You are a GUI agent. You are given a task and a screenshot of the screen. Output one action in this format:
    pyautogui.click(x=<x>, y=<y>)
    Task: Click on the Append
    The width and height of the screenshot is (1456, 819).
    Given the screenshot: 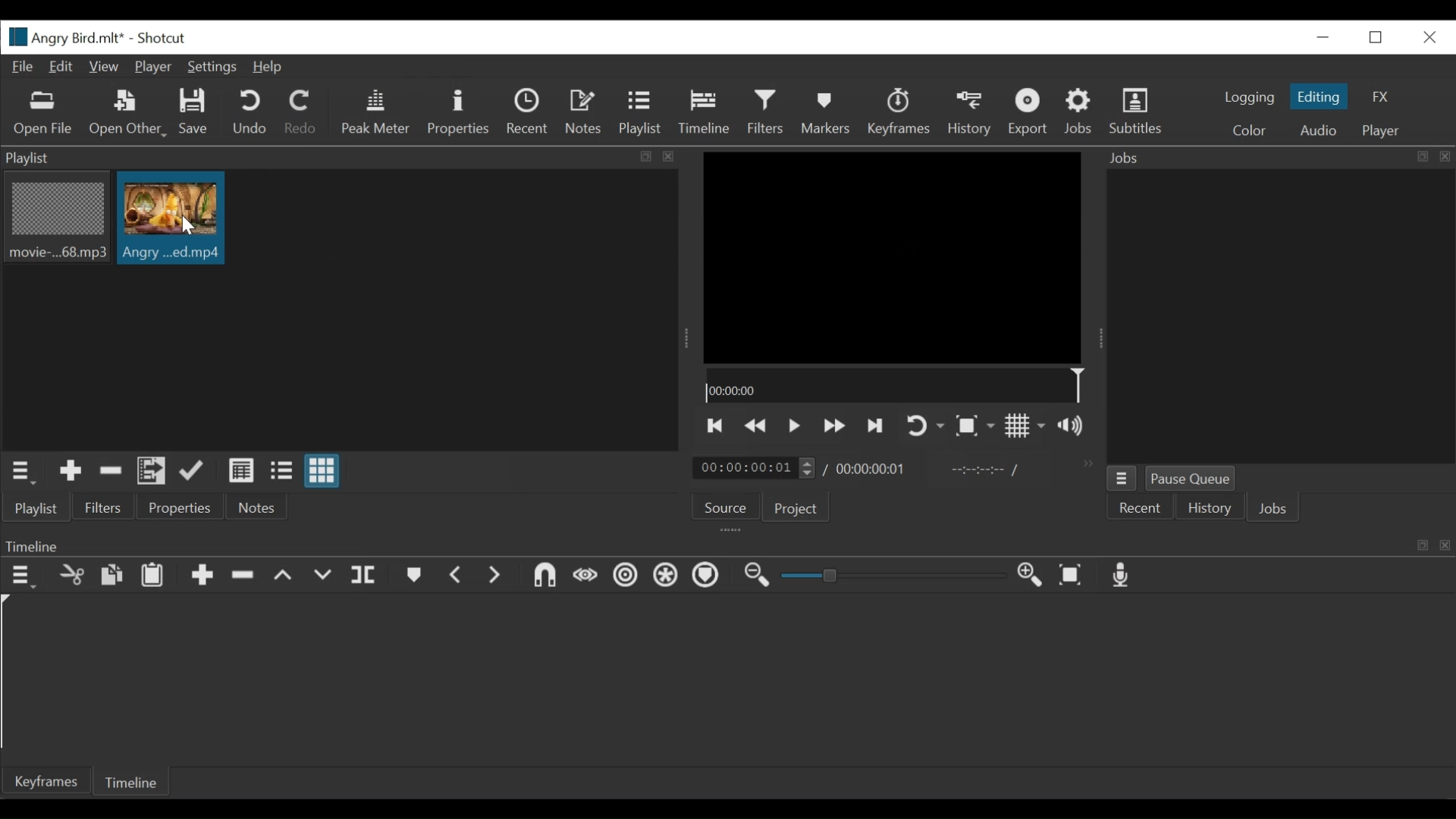 What is the action you would take?
    pyautogui.click(x=201, y=576)
    